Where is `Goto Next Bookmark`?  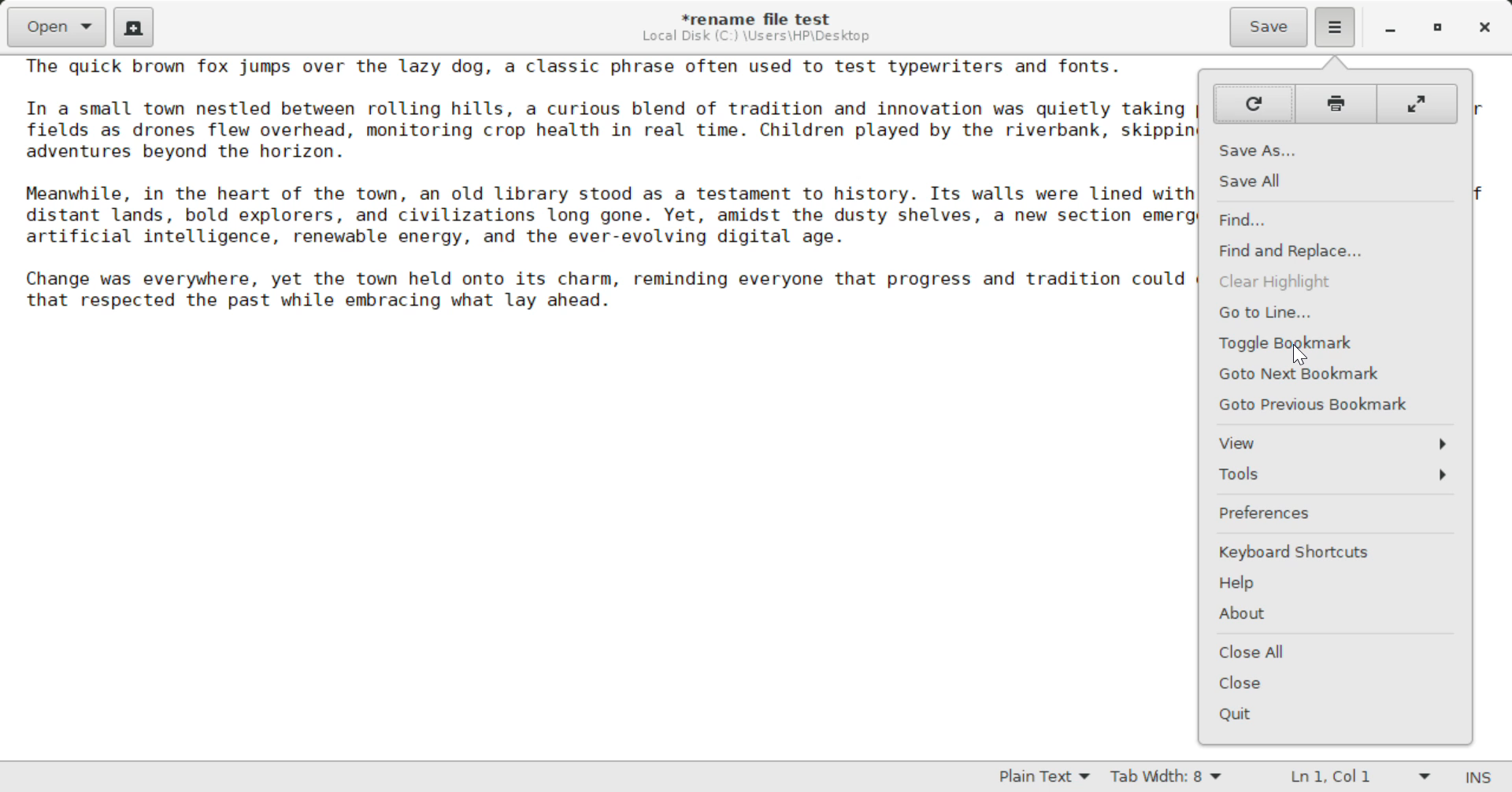
Goto Next Bookmark is located at coordinates (1337, 378).